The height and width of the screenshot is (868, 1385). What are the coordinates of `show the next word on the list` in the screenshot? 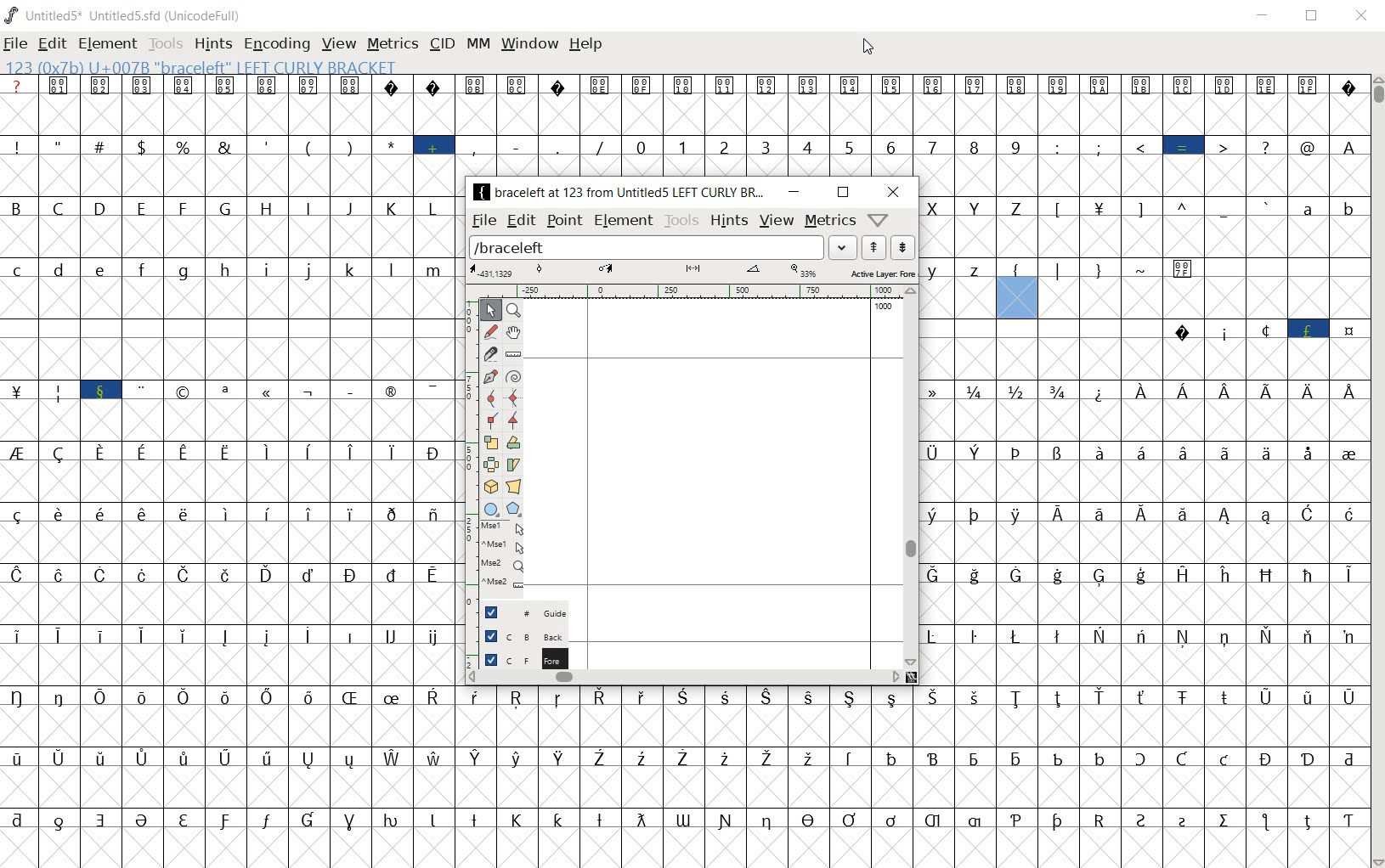 It's located at (876, 247).